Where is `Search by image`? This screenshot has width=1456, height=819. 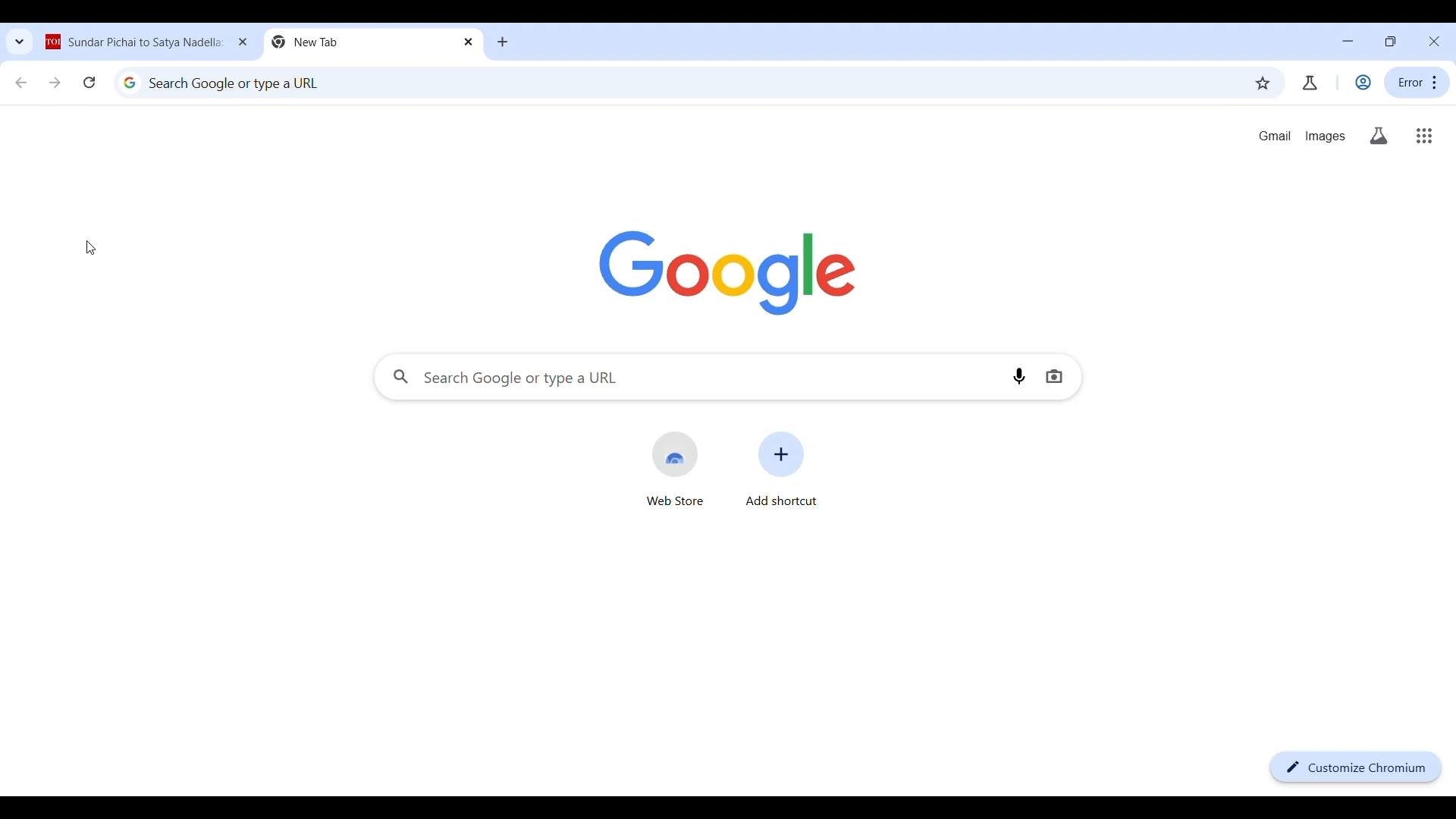 Search by image is located at coordinates (1054, 376).